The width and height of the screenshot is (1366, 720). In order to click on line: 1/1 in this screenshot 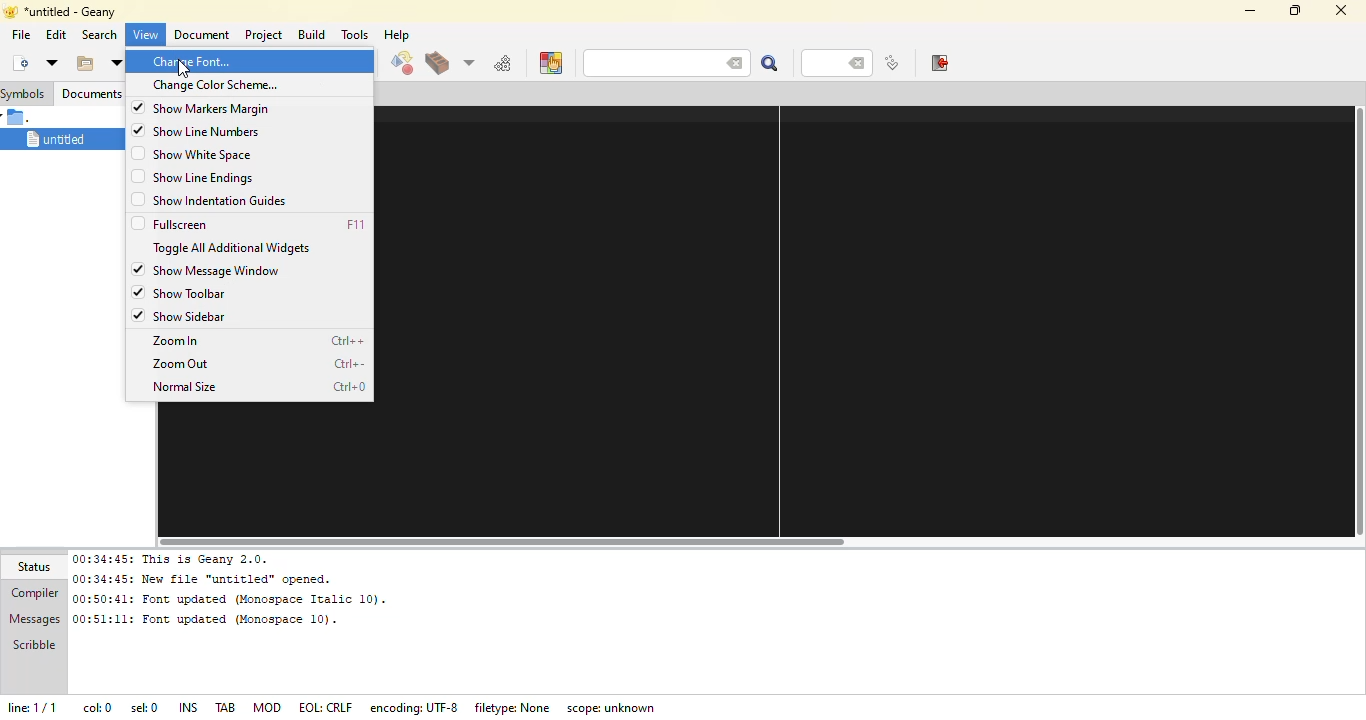, I will do `click(37, 706)`.